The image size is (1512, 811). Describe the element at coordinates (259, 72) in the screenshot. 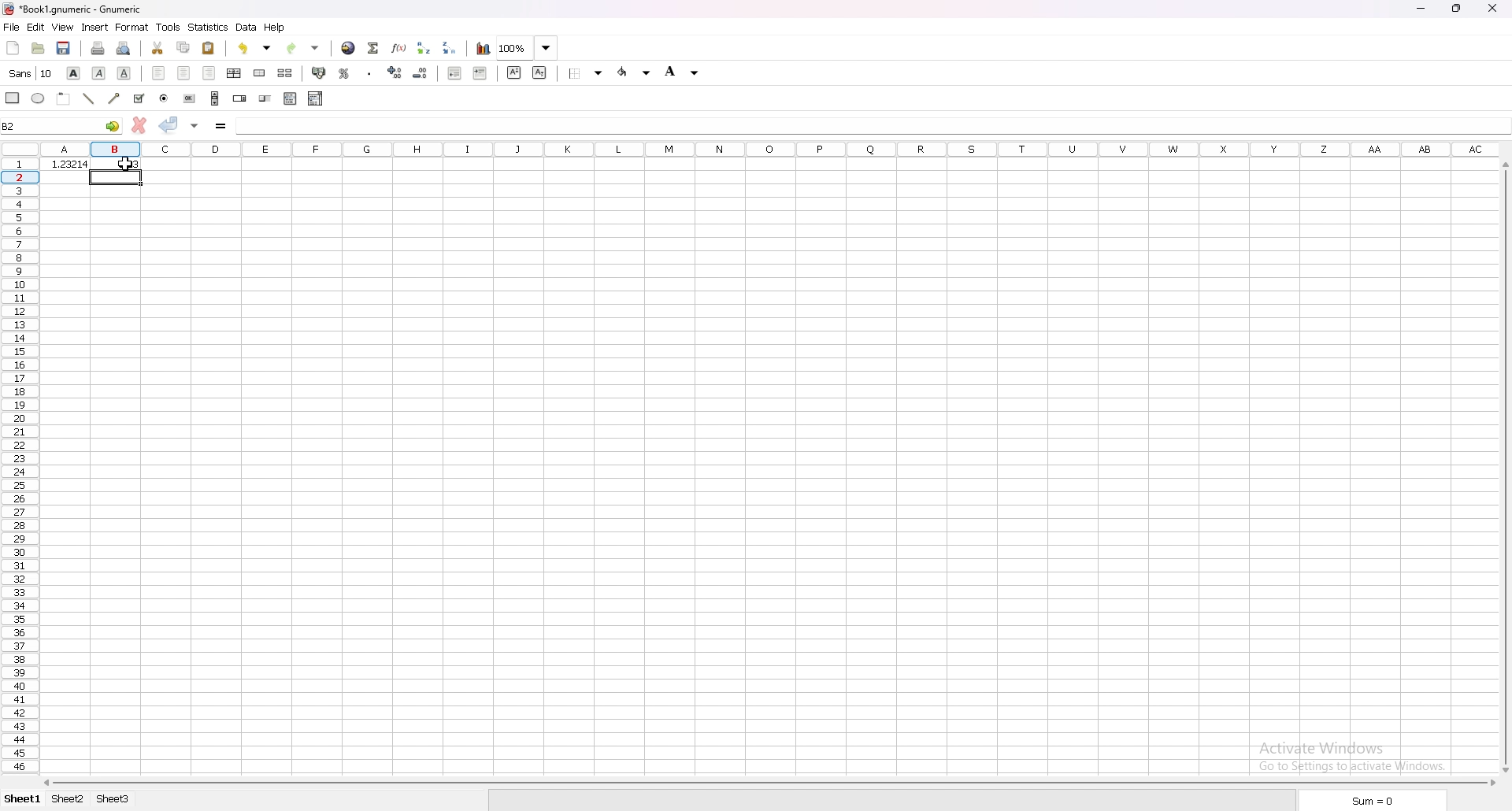

I see `merge cells` at that location.